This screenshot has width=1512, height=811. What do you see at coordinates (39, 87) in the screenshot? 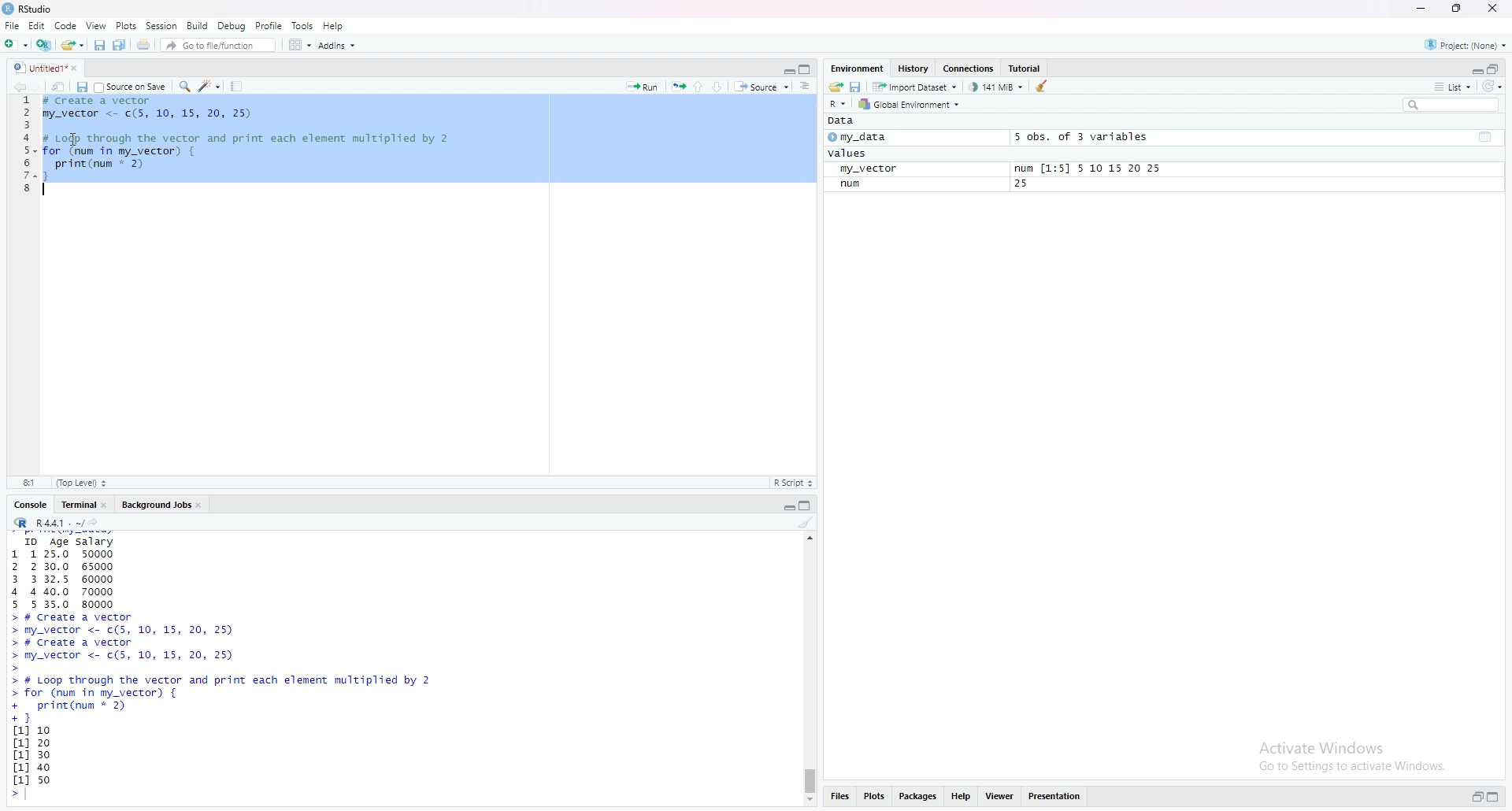
I see `go forward` at bounding box center [39, 87].